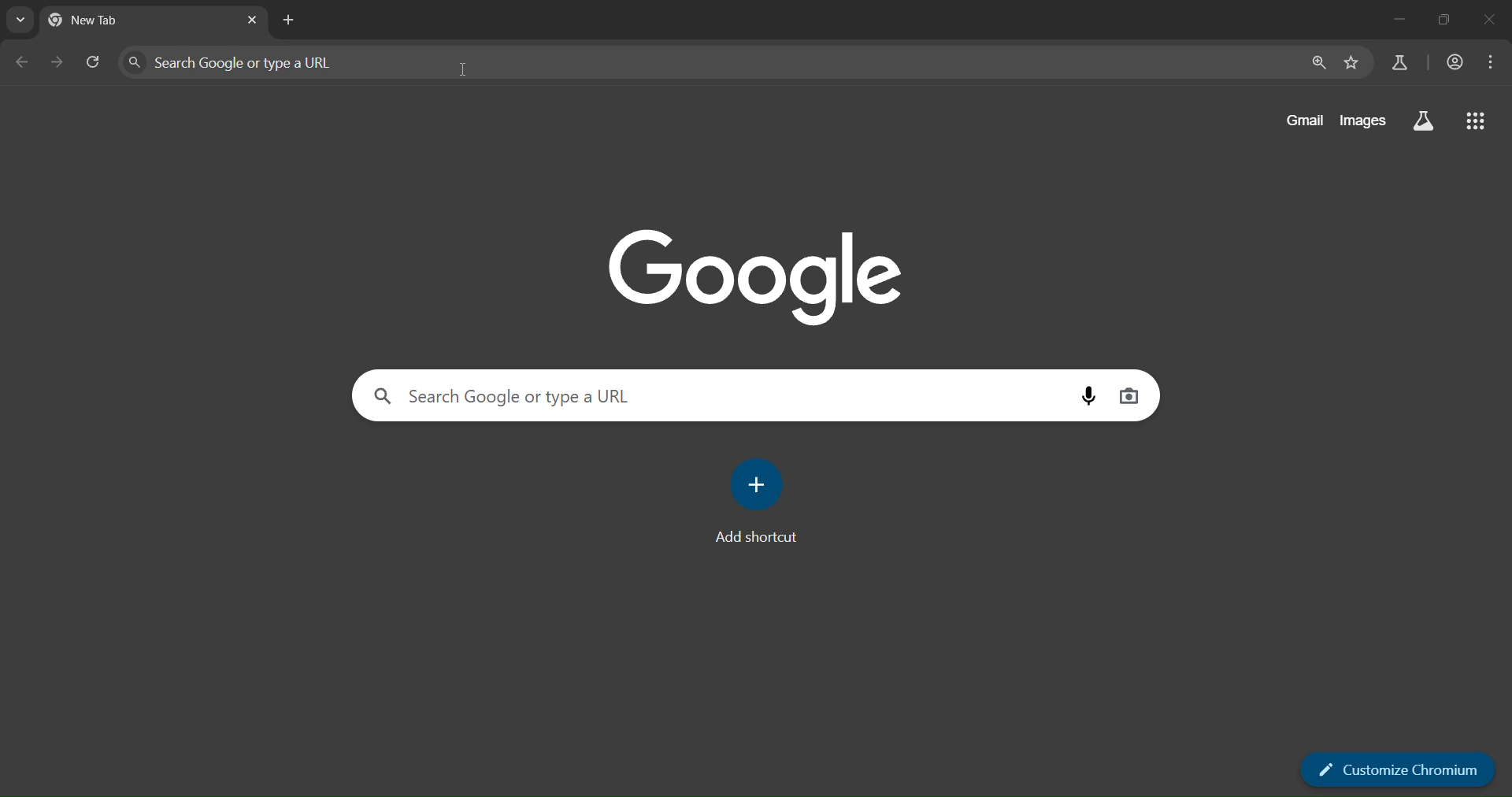 This screenshot has height=797, width=1512. I want to click on gmail, so click(1305, 118).